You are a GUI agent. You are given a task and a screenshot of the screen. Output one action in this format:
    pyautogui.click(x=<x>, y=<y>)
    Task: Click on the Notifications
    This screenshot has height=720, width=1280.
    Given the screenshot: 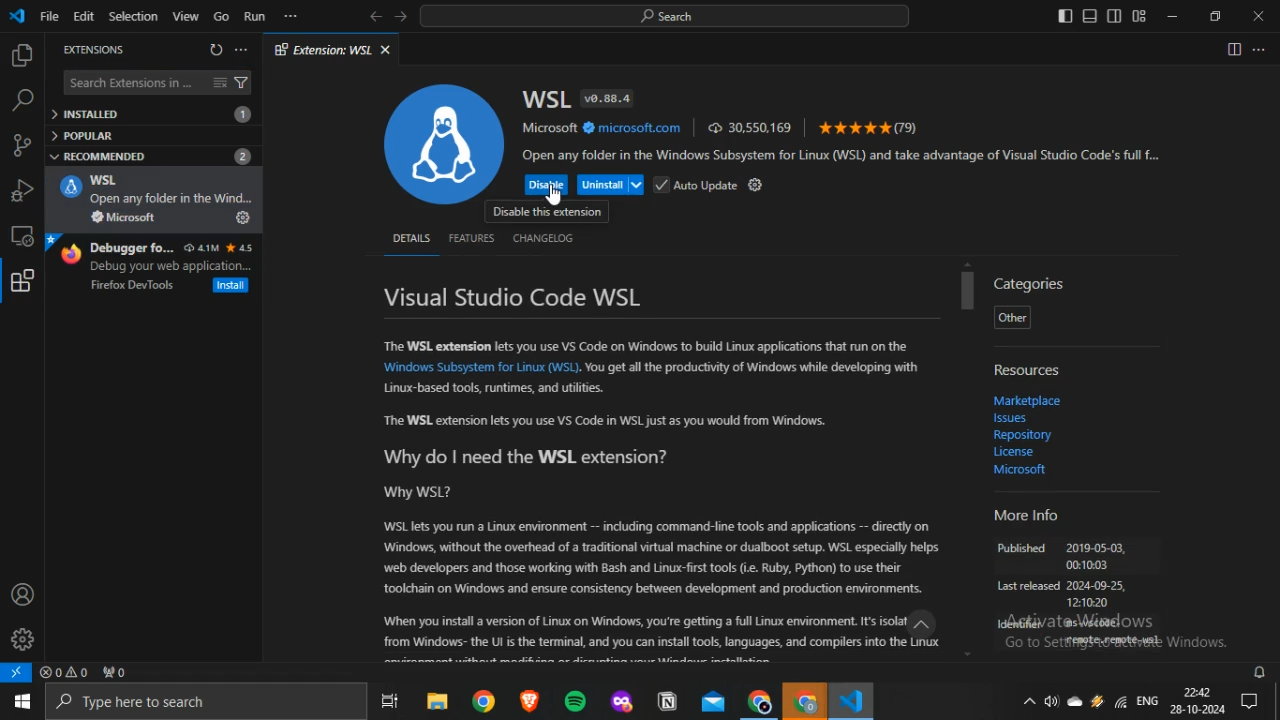 What is the action you would take?
    pyautogui.click(x=1251, y=701)
    